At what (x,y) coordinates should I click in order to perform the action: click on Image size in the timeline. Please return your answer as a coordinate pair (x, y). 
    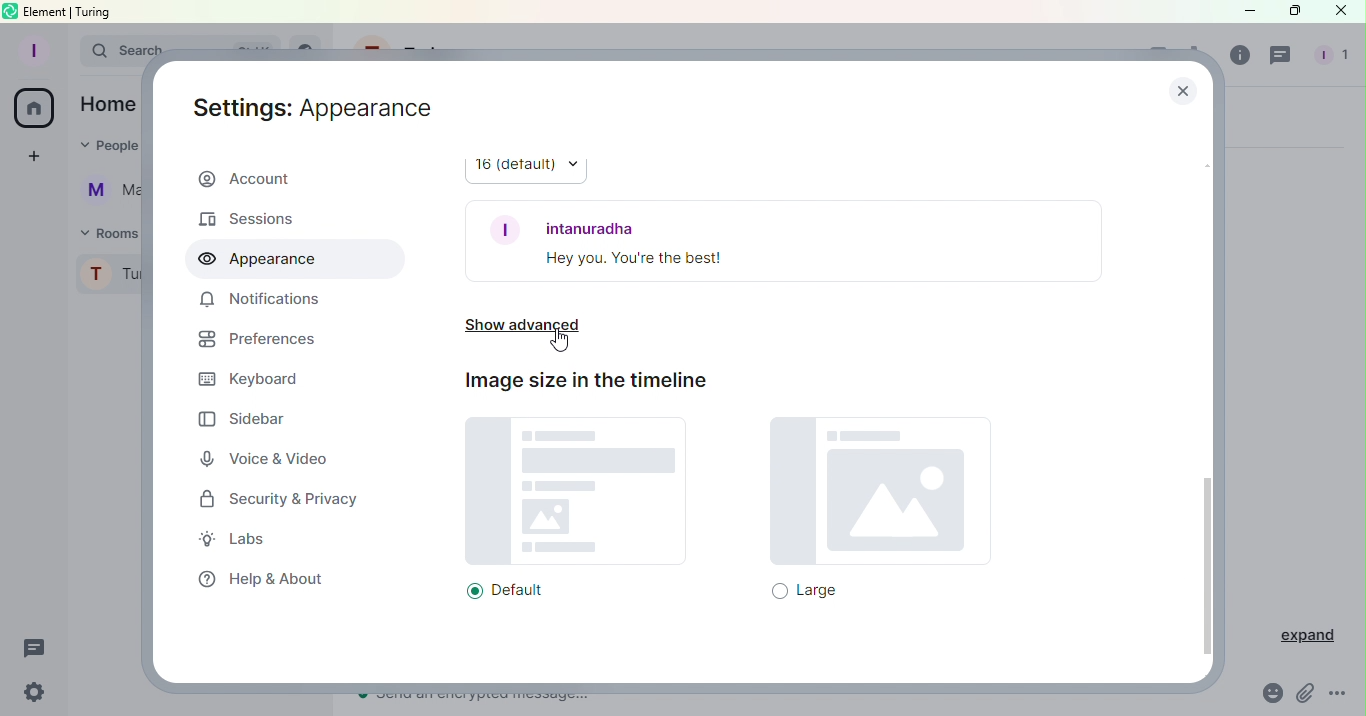
    Looking at the image, I should click on (595, 387).